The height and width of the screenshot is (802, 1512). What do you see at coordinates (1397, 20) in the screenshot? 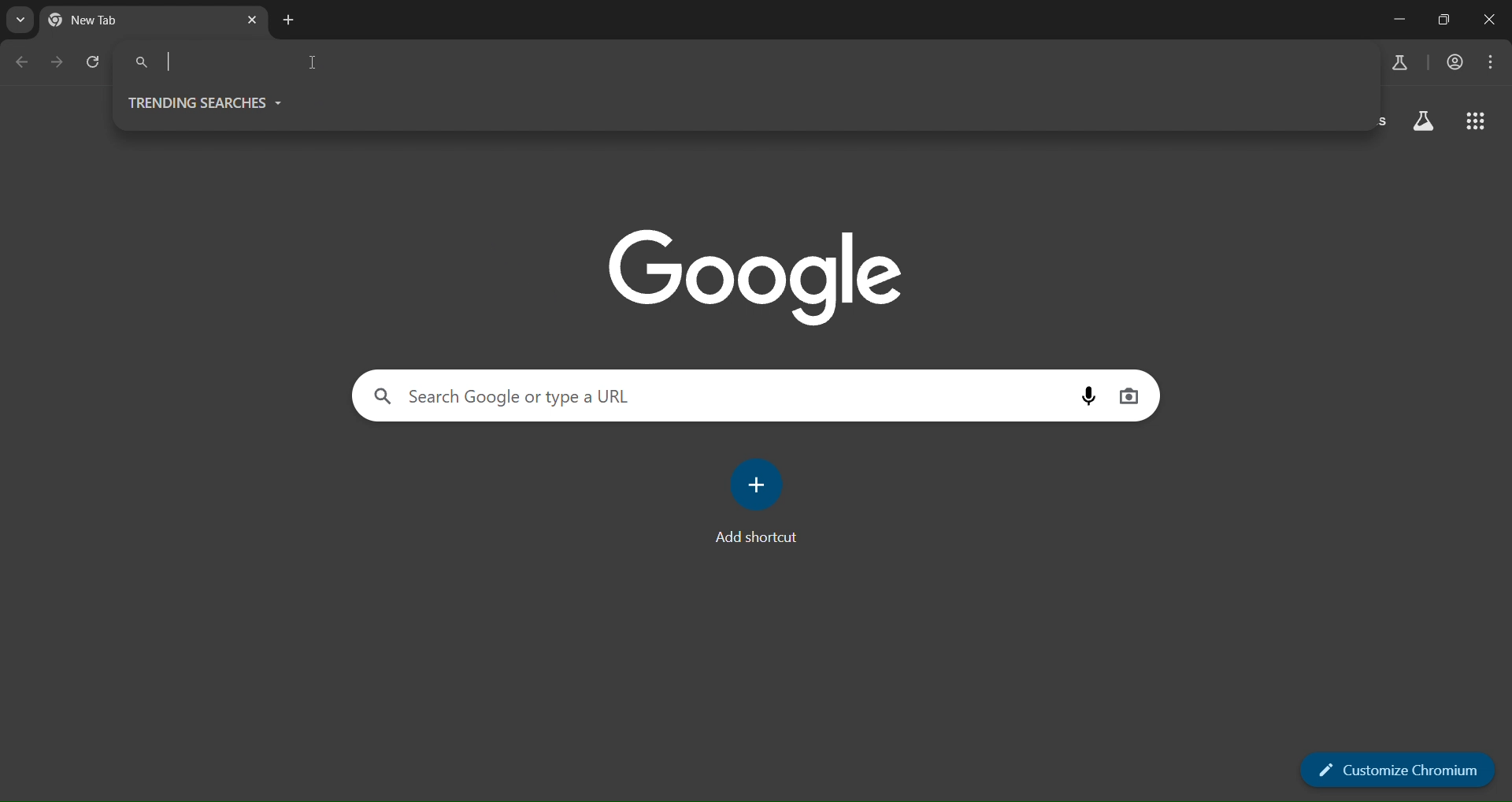
I see `minimize` at bounding box center [1397, 20].